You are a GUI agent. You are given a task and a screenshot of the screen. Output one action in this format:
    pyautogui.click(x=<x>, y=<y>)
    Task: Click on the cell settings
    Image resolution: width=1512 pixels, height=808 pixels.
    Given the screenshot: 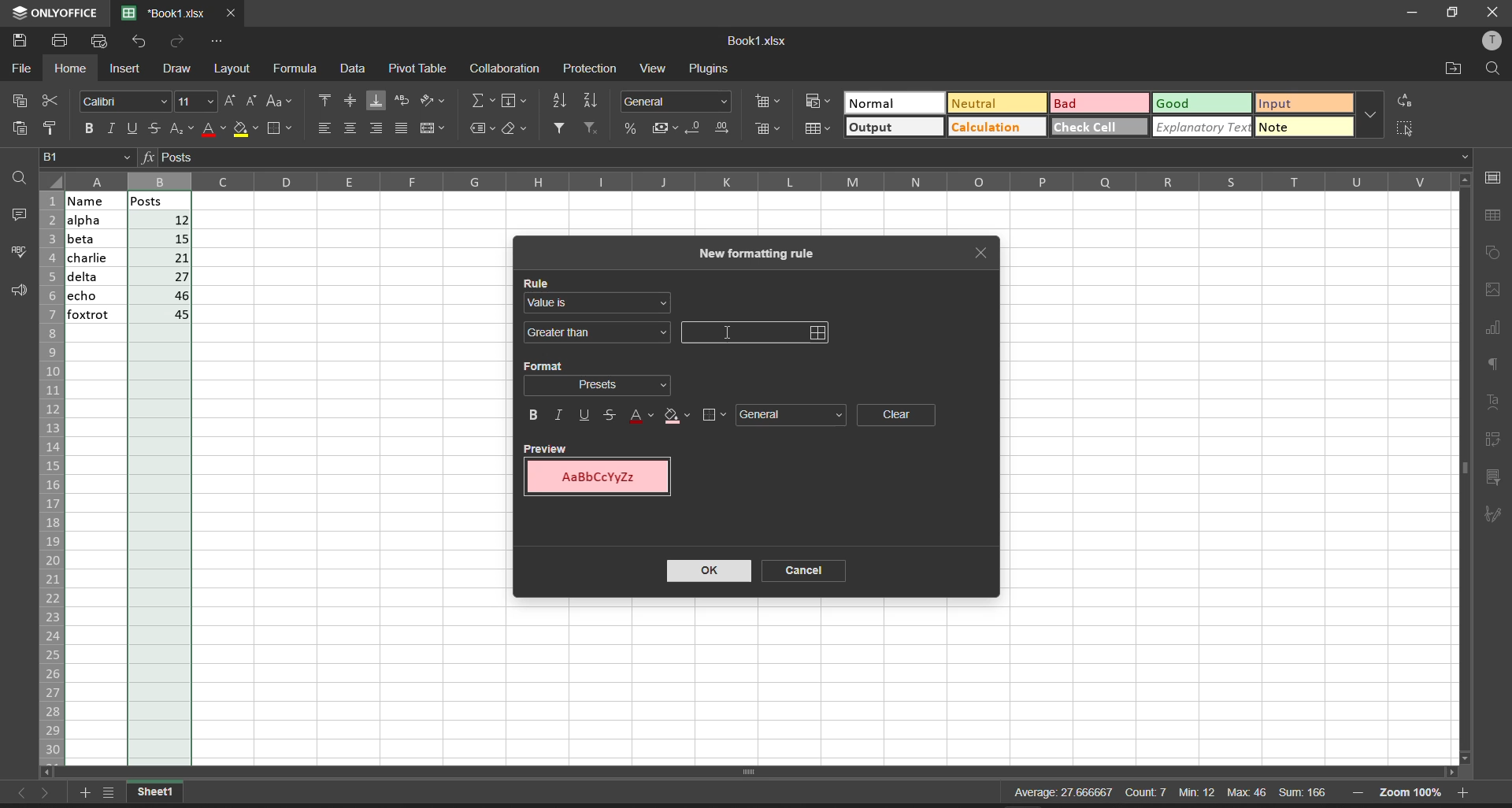 What is the action you would take?
    pyautogui.click(x=1496, y=178)
    